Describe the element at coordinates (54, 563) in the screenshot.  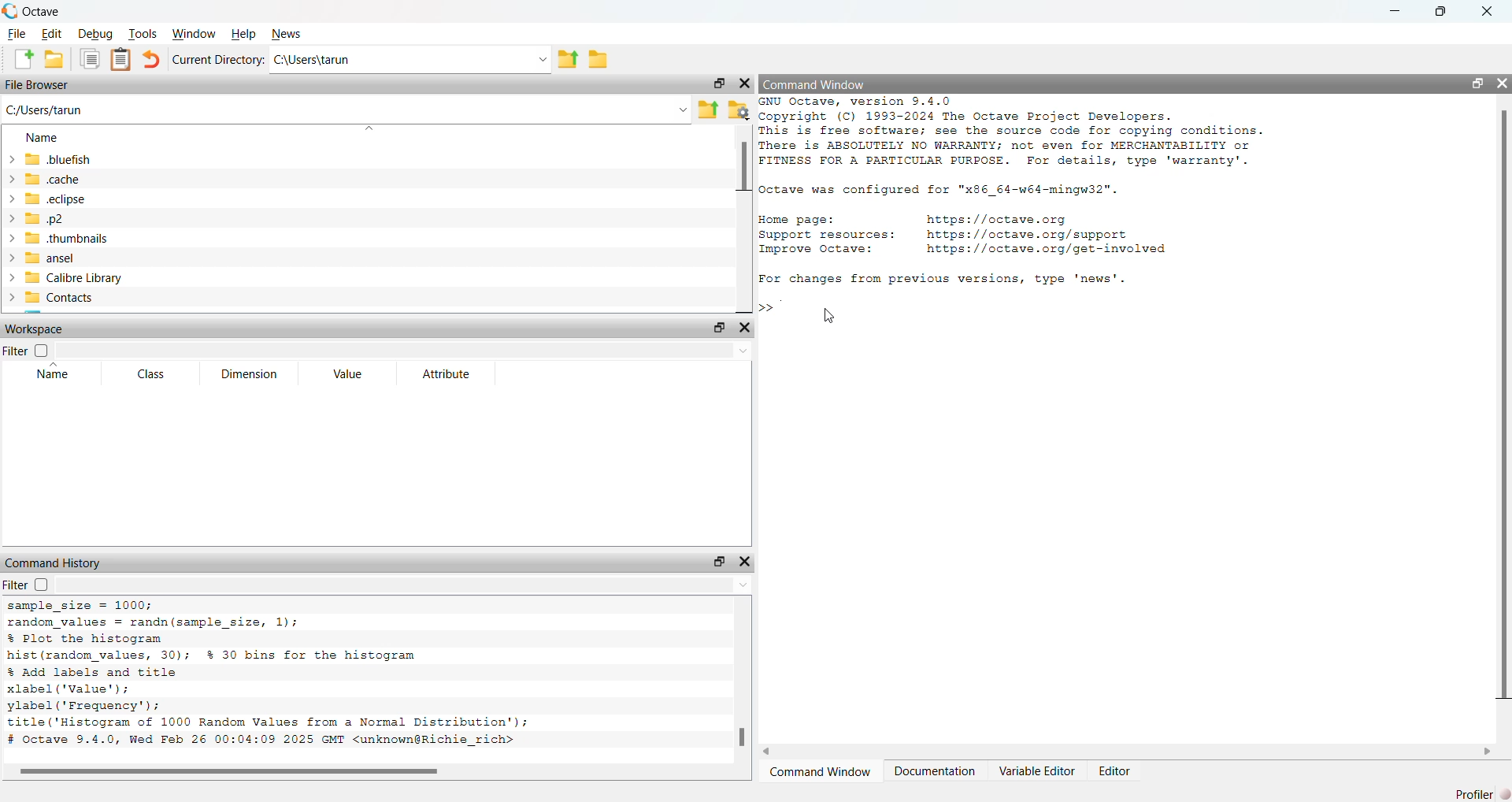
I see `Command History` at that location.